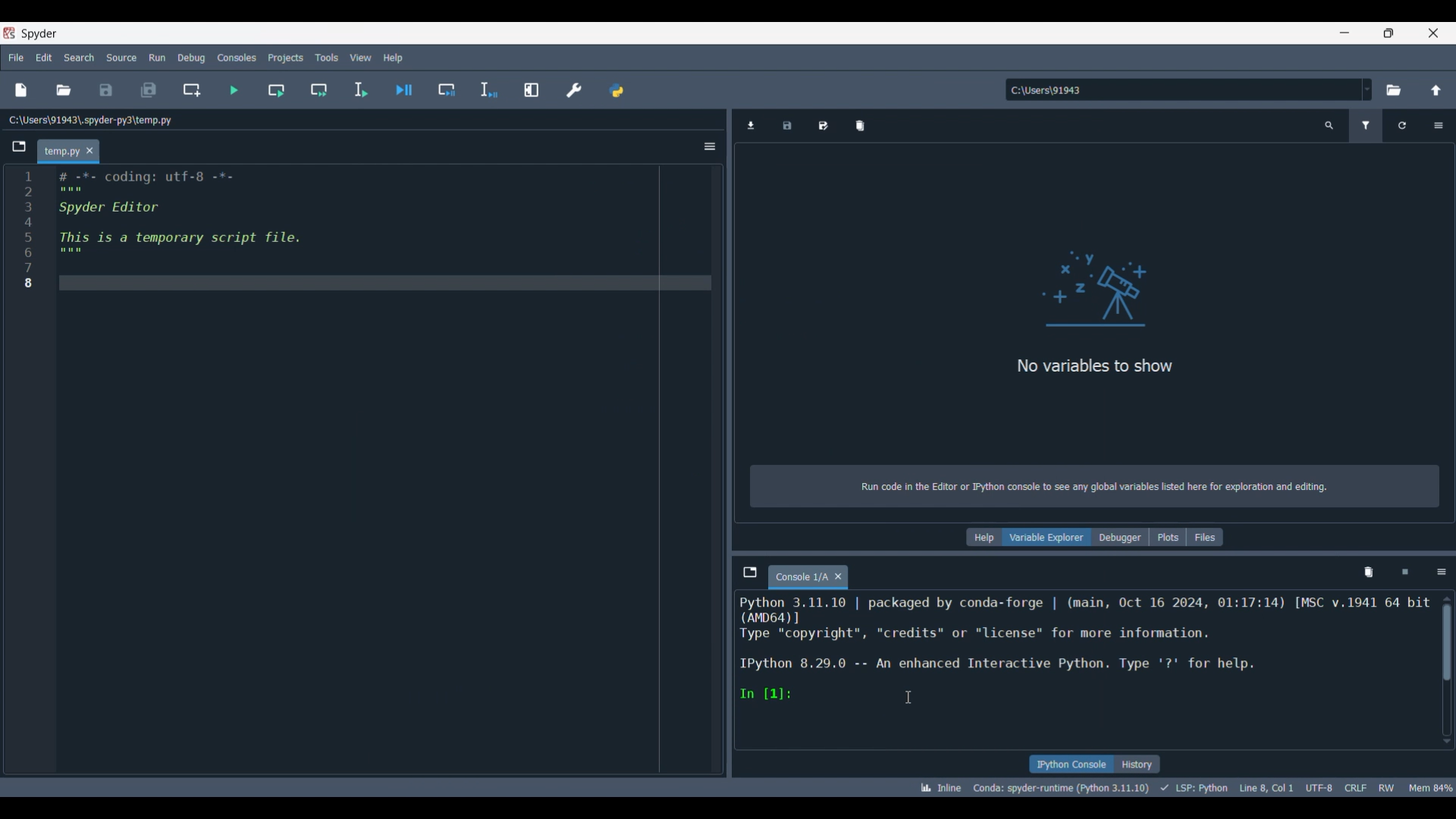 Image resolution: width=1456 pixels, height=819 pixels. Describe the element at coordinates (234, 90) in the screenshot. I see `Run file` at that location.